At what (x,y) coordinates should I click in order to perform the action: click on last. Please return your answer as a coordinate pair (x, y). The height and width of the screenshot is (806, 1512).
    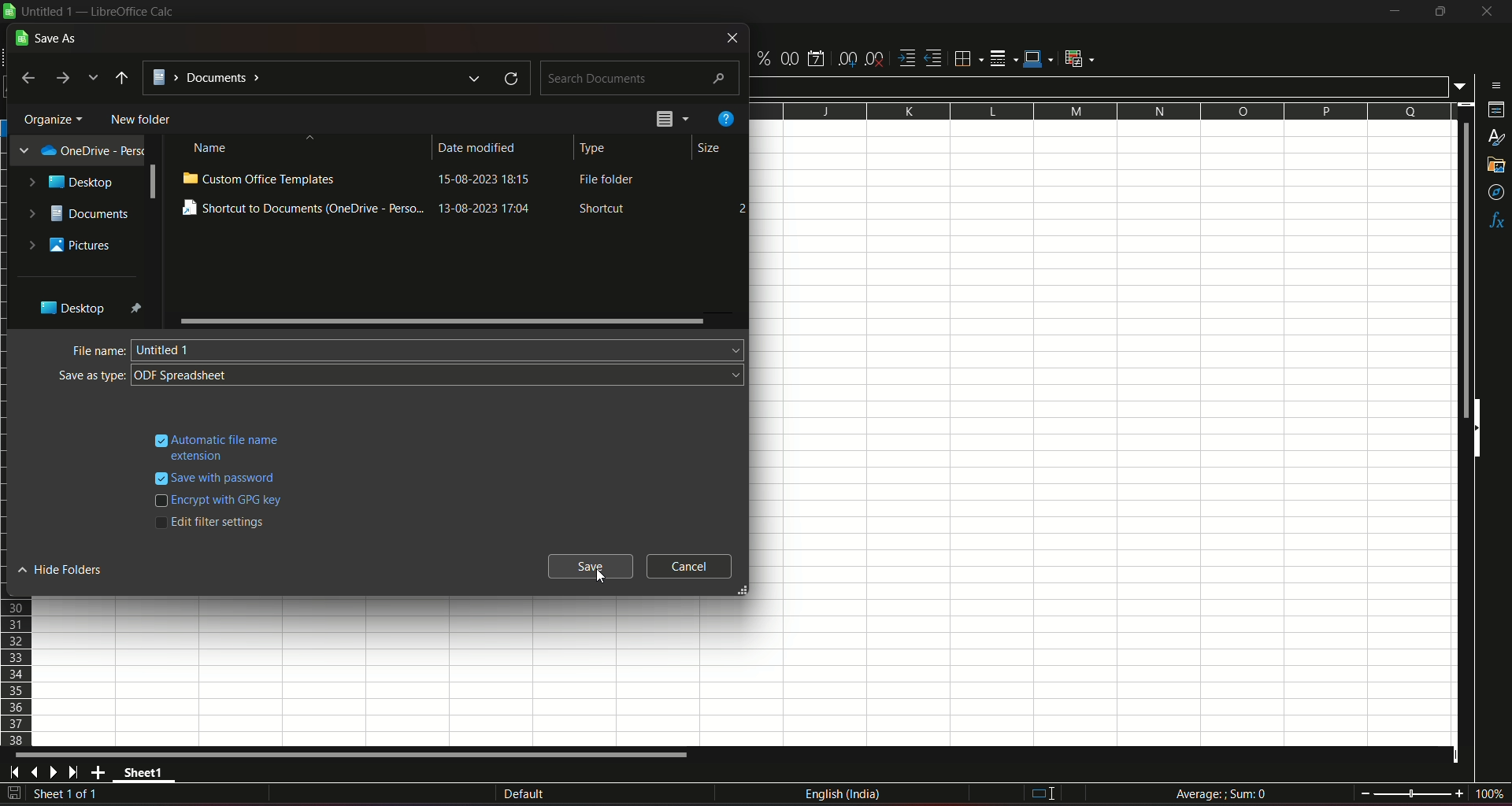
    Looking at the image, I should click on (28, 79).